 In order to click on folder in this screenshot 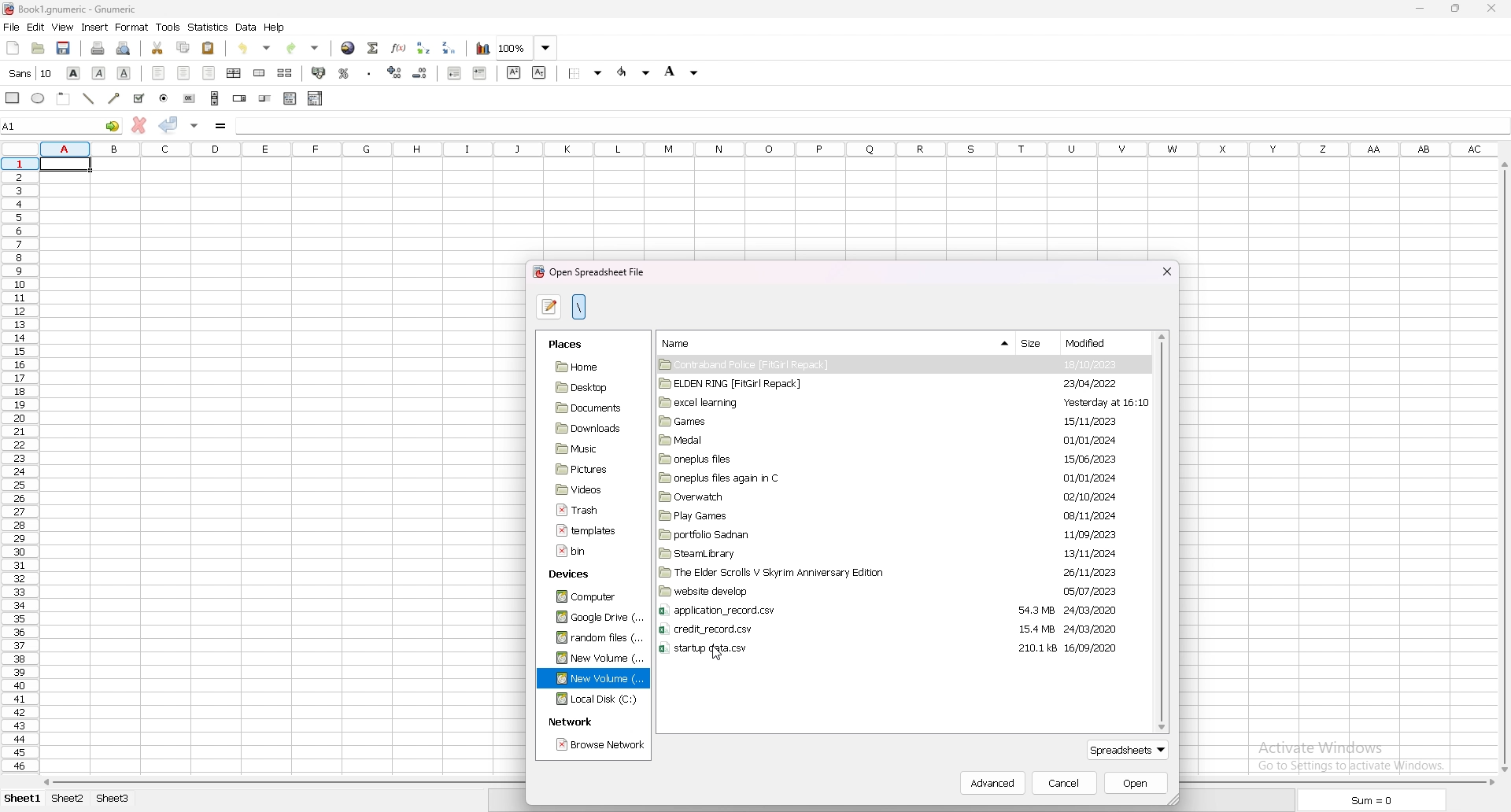, I will do `click(839, 364)`.